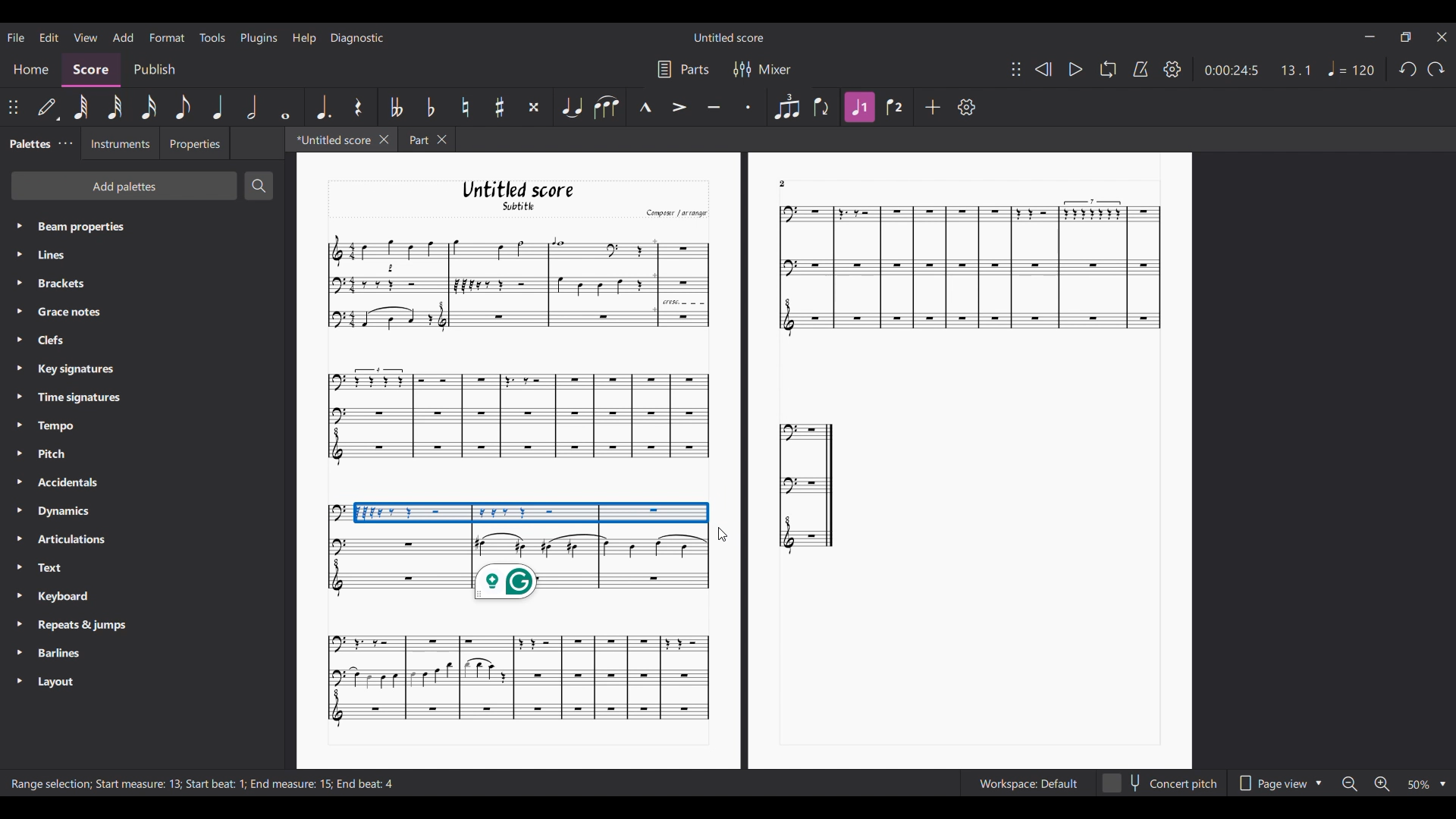 Image resolution: width=1456 pixels, height=819 pixels. I want to click on Settings, so click(1172, 69).